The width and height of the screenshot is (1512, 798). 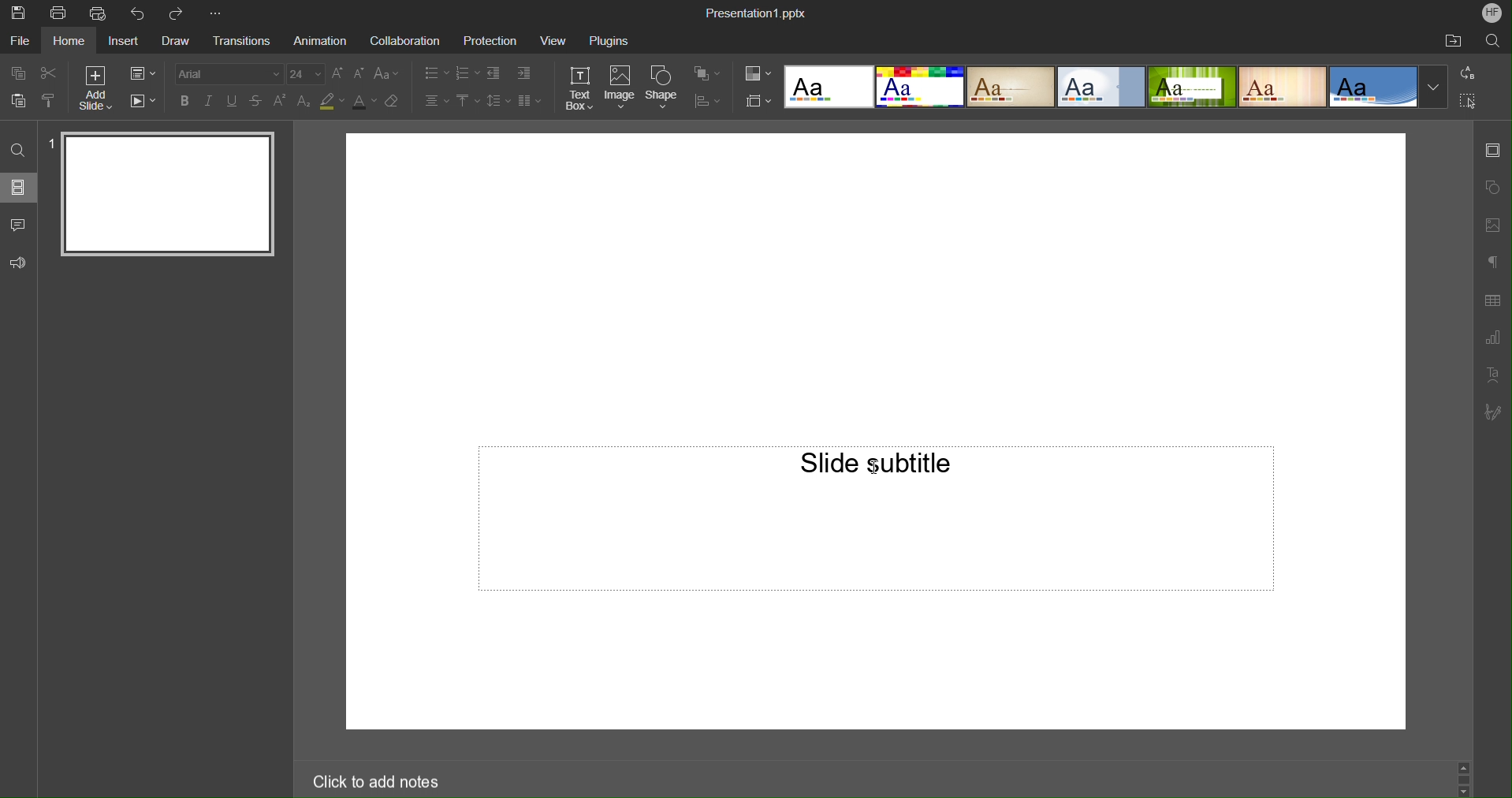 I want to click on Presentation1.pptx, so click(x=755, y=11).